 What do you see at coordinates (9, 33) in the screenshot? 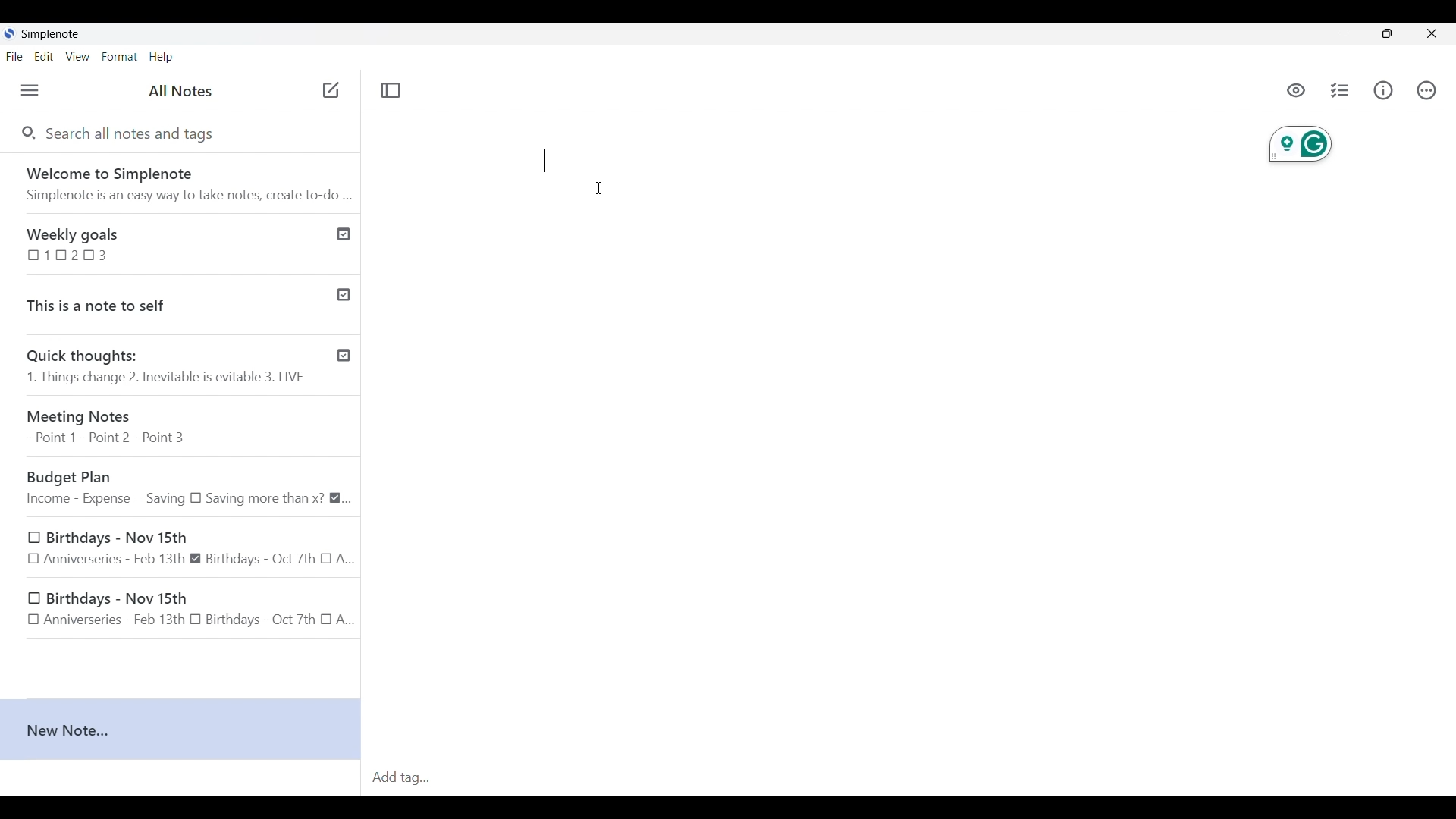
I see `Software logo` at bounding box center [9, 33].